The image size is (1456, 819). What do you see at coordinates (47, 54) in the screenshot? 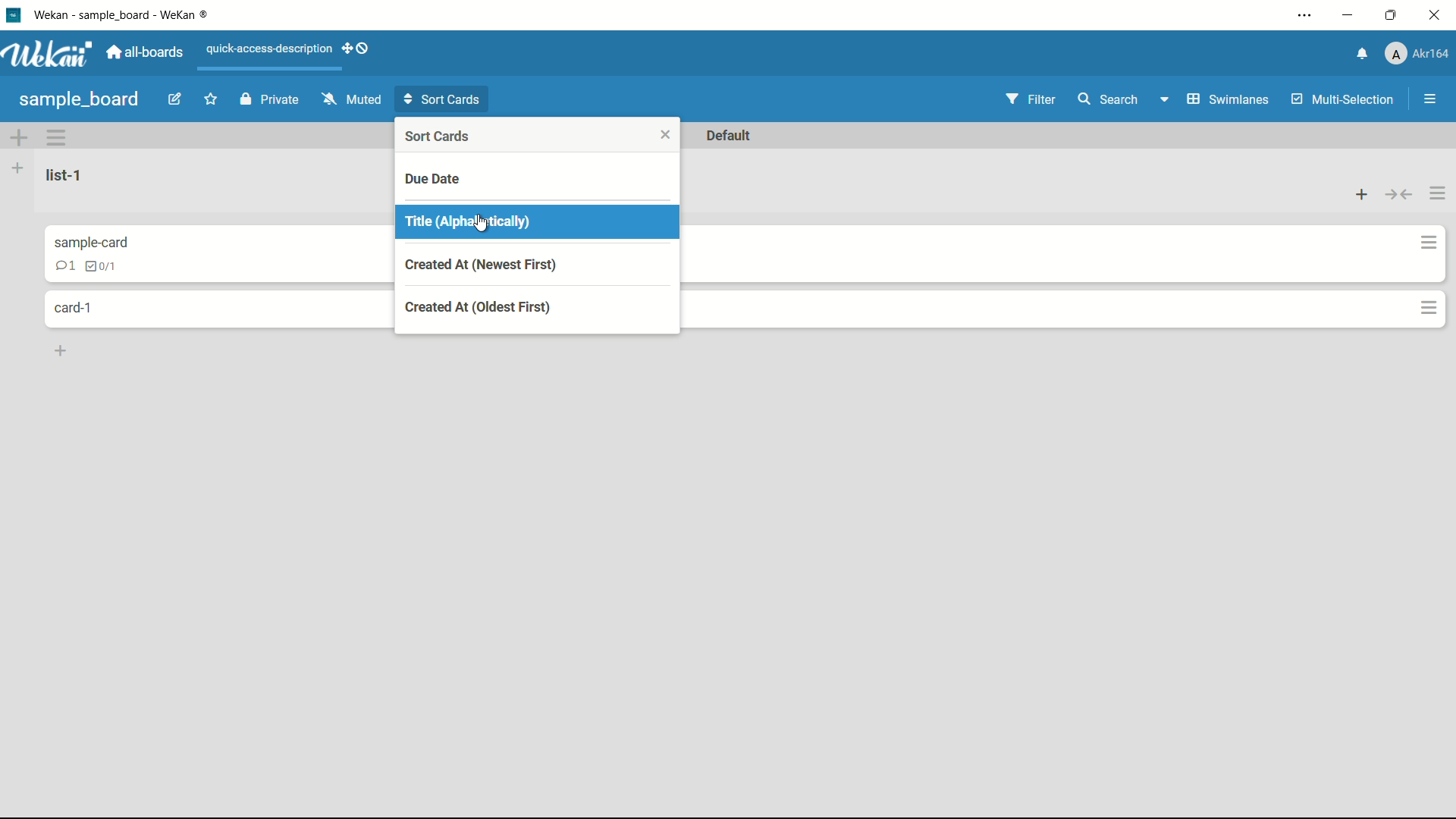
I see `app logo` at bounding box center [47, 54].